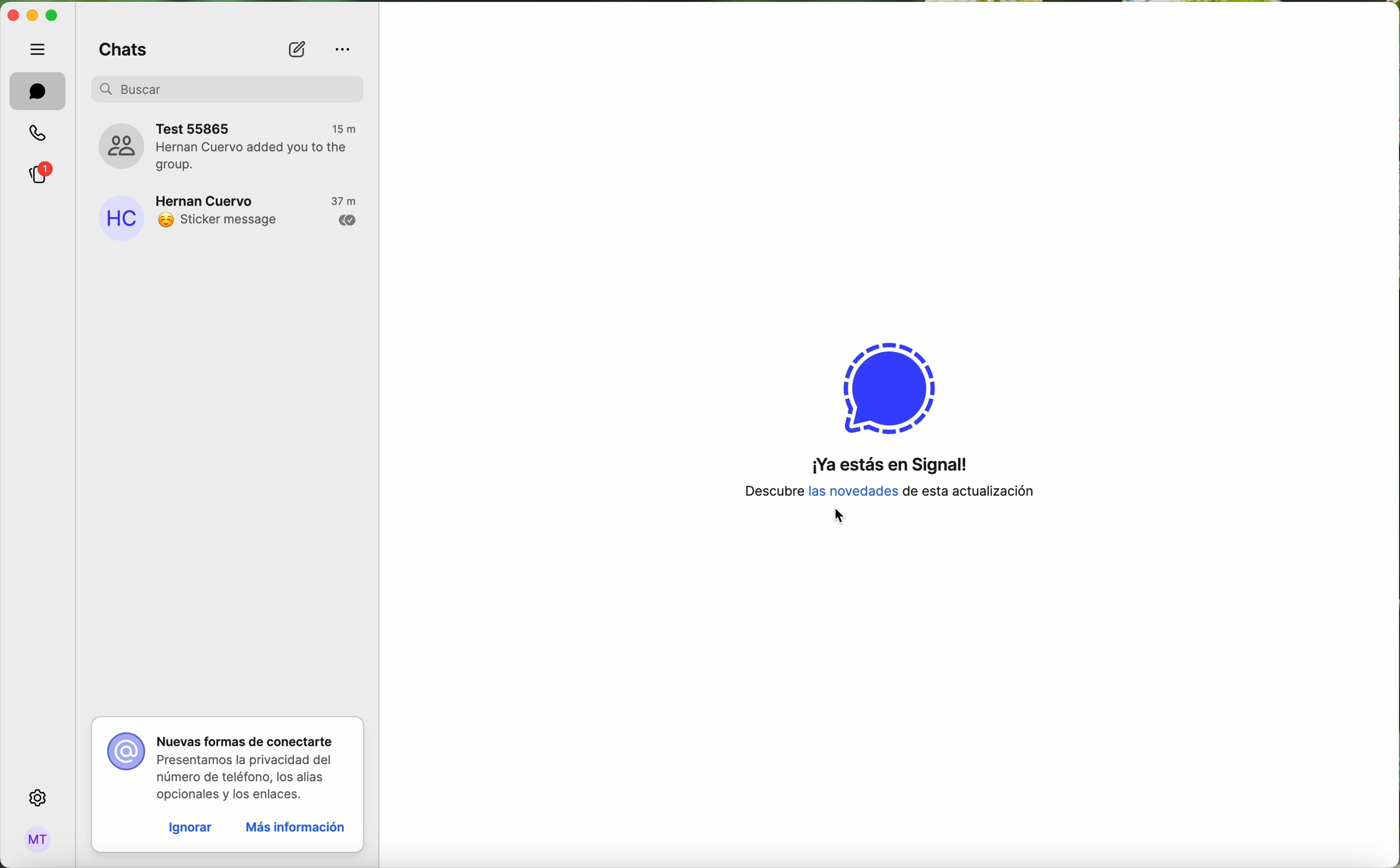 The width and height of the screenshot is (1400, 868). What do you see at coordinates (41, 49) in the screenshot?
I see `hide tabs` at bounding box center [41, 49].